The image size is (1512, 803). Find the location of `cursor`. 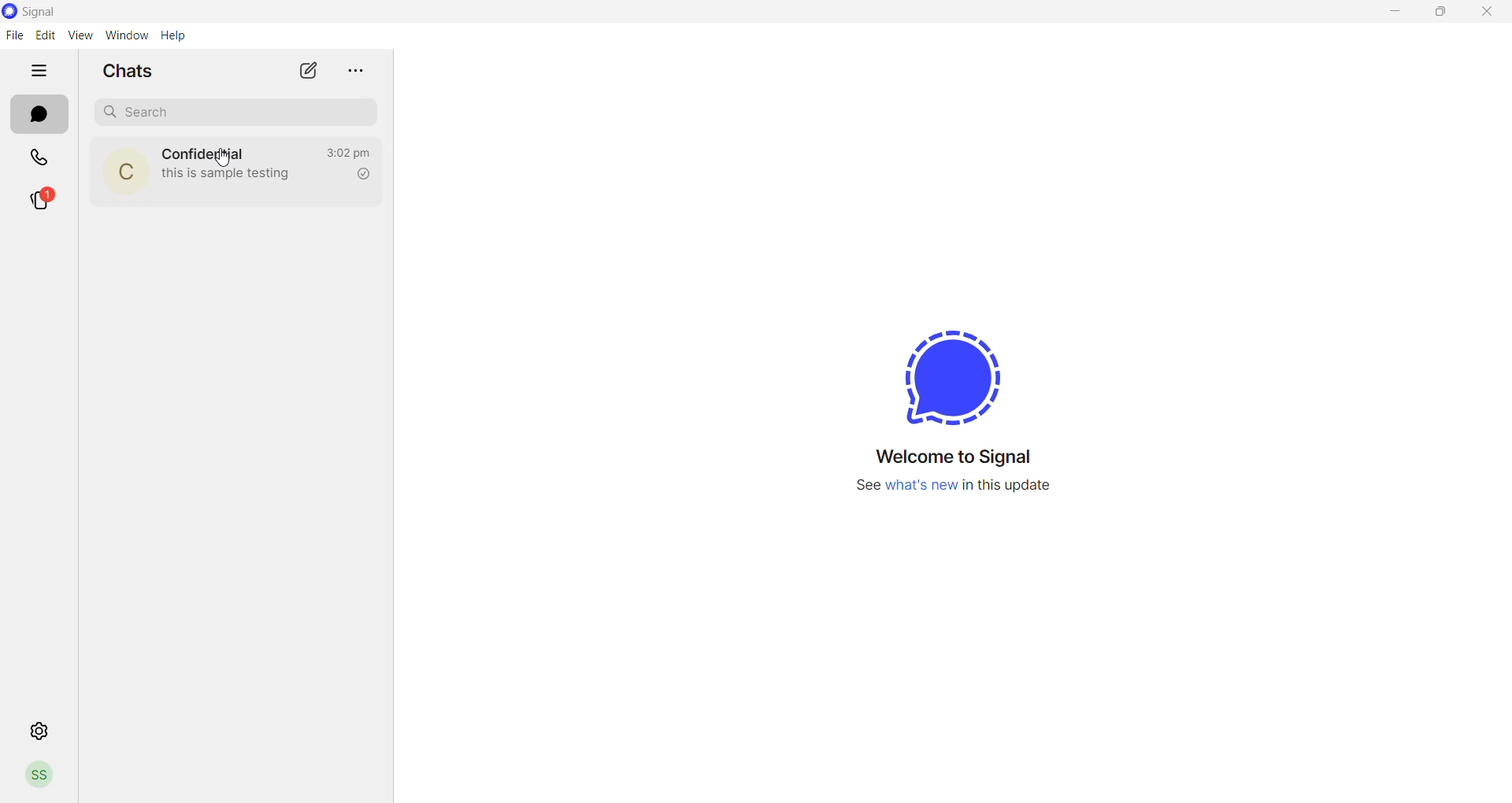

cursor is located at coordinates (224, 160).